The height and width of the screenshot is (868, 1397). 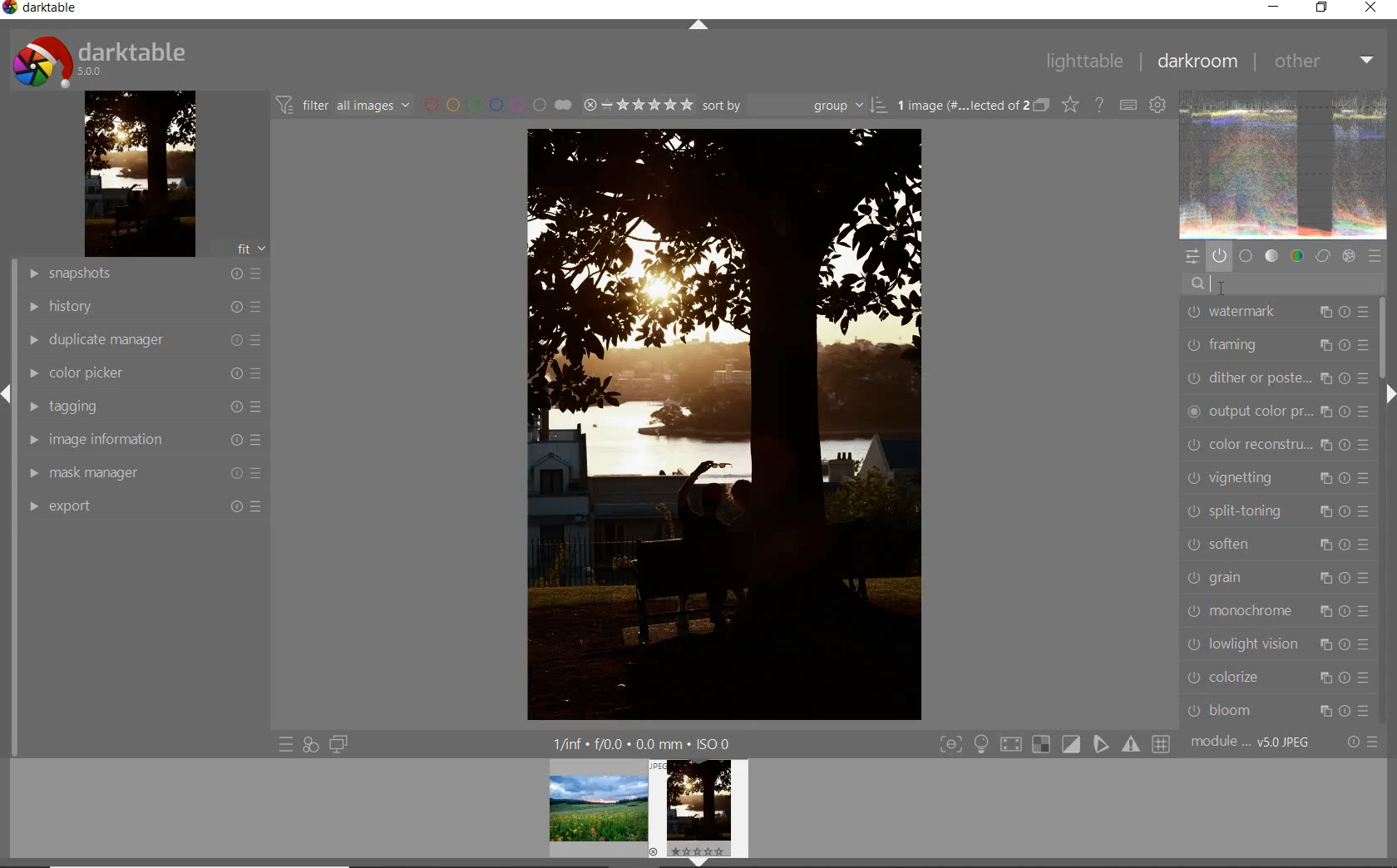 What do you see at coordinates (345, 106) in the screenshot?
I see `filter all images` at bounding box center [345, 106].